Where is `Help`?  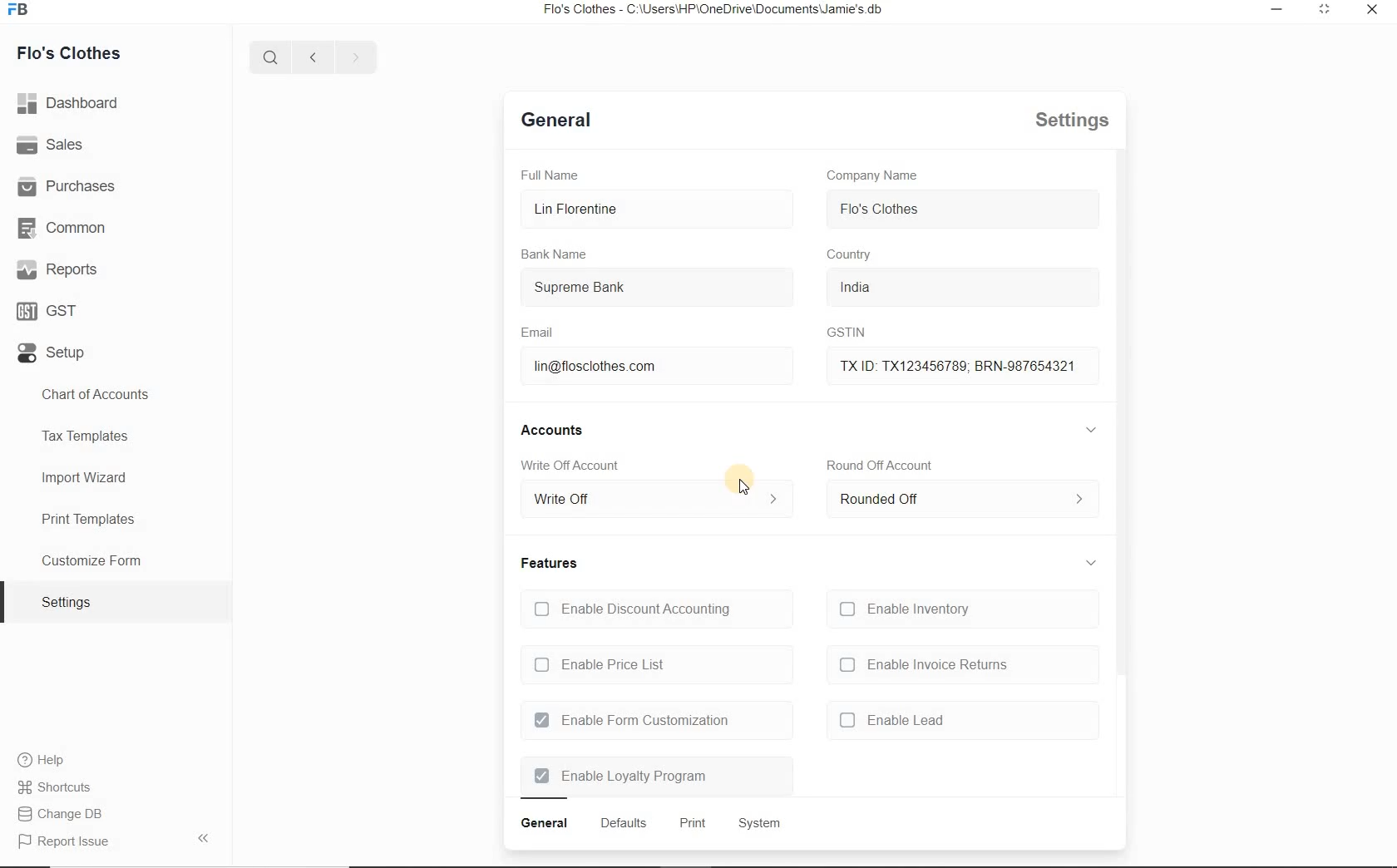
Help is located at coordinates (47, 760).